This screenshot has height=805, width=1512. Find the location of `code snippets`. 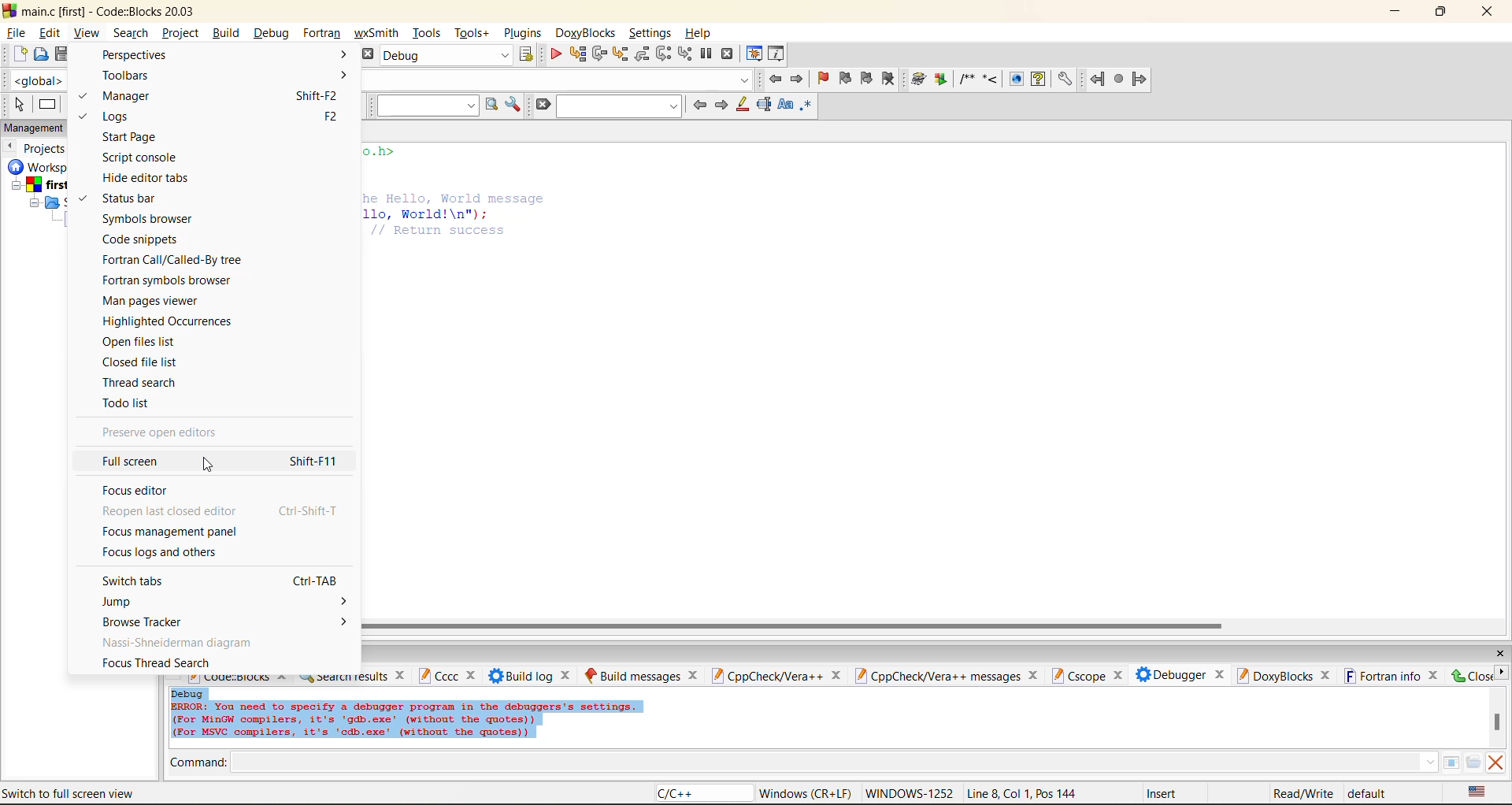

code snippets is located at coordinates (144, 239).